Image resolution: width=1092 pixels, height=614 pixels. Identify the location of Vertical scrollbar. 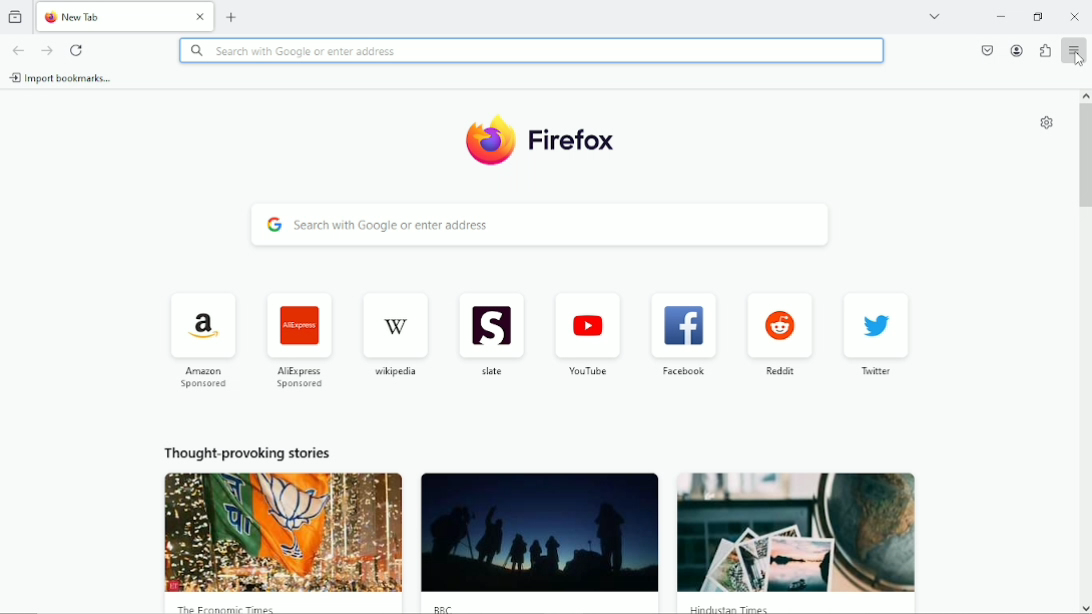
(1085, 157).